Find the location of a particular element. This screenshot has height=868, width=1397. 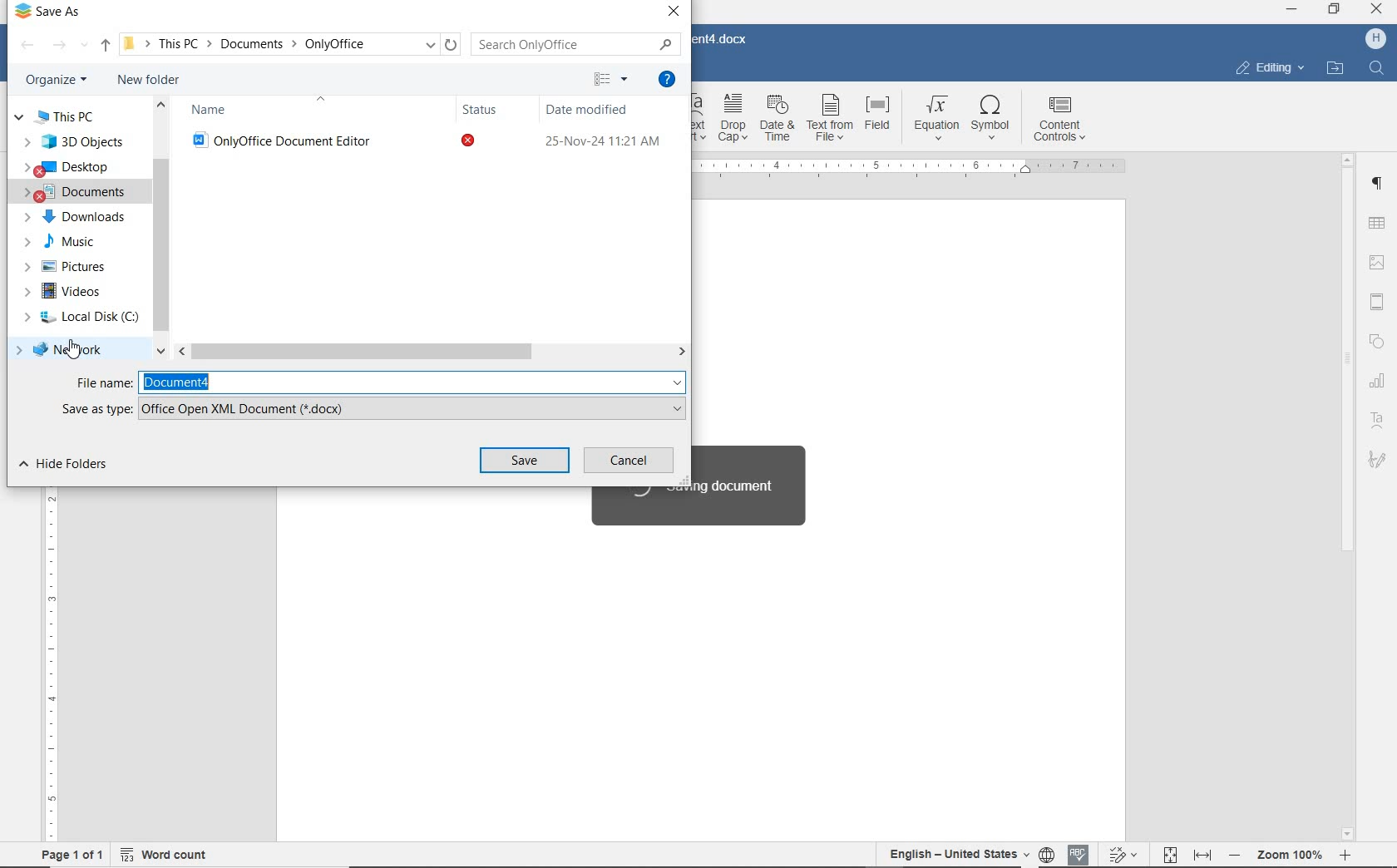

RESTORE is located at coordinates (1335, 9).